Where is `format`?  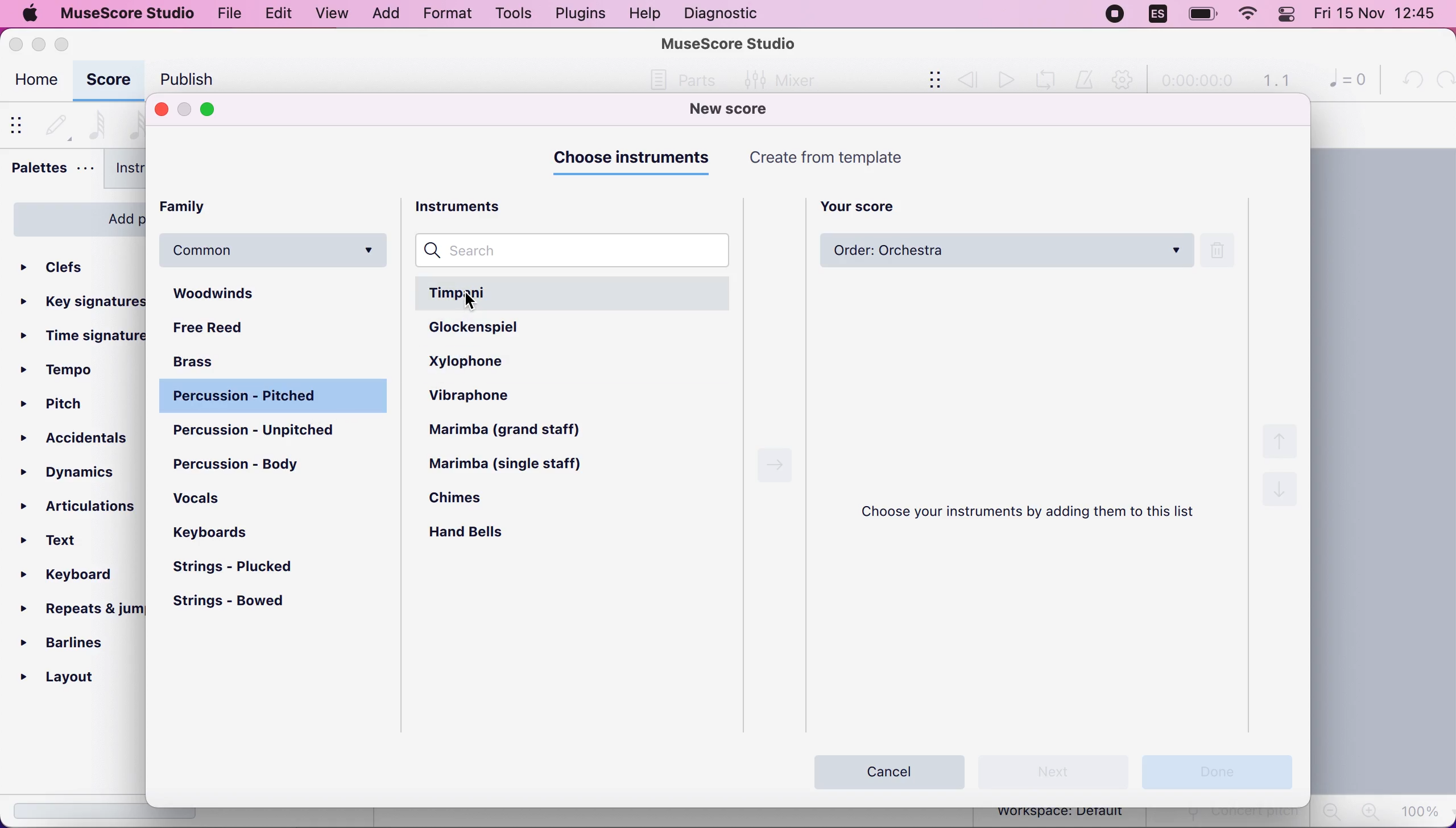
format is located at coordinates (443, 15).